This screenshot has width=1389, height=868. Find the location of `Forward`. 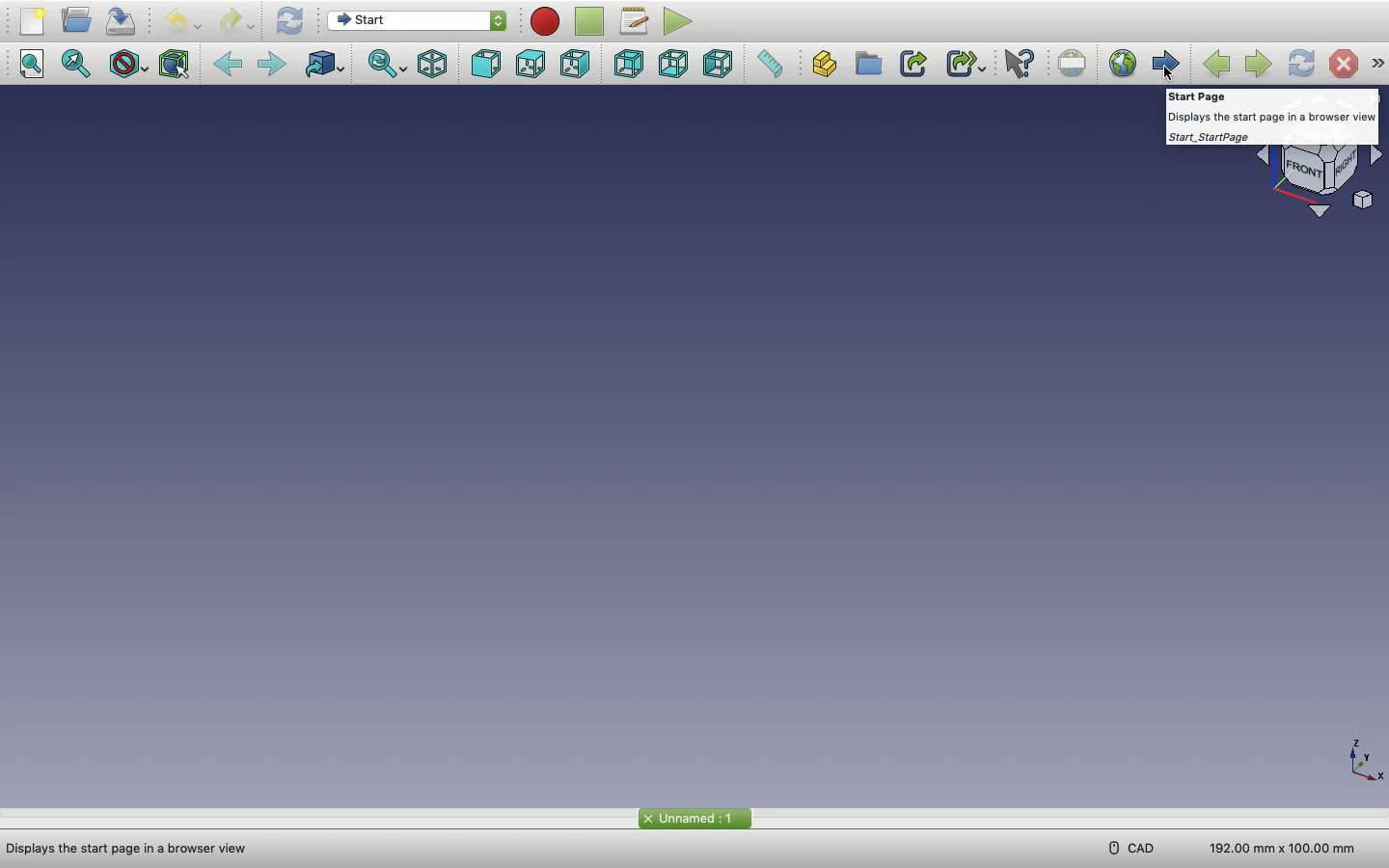

Forward is located at coordinates (272, 65).